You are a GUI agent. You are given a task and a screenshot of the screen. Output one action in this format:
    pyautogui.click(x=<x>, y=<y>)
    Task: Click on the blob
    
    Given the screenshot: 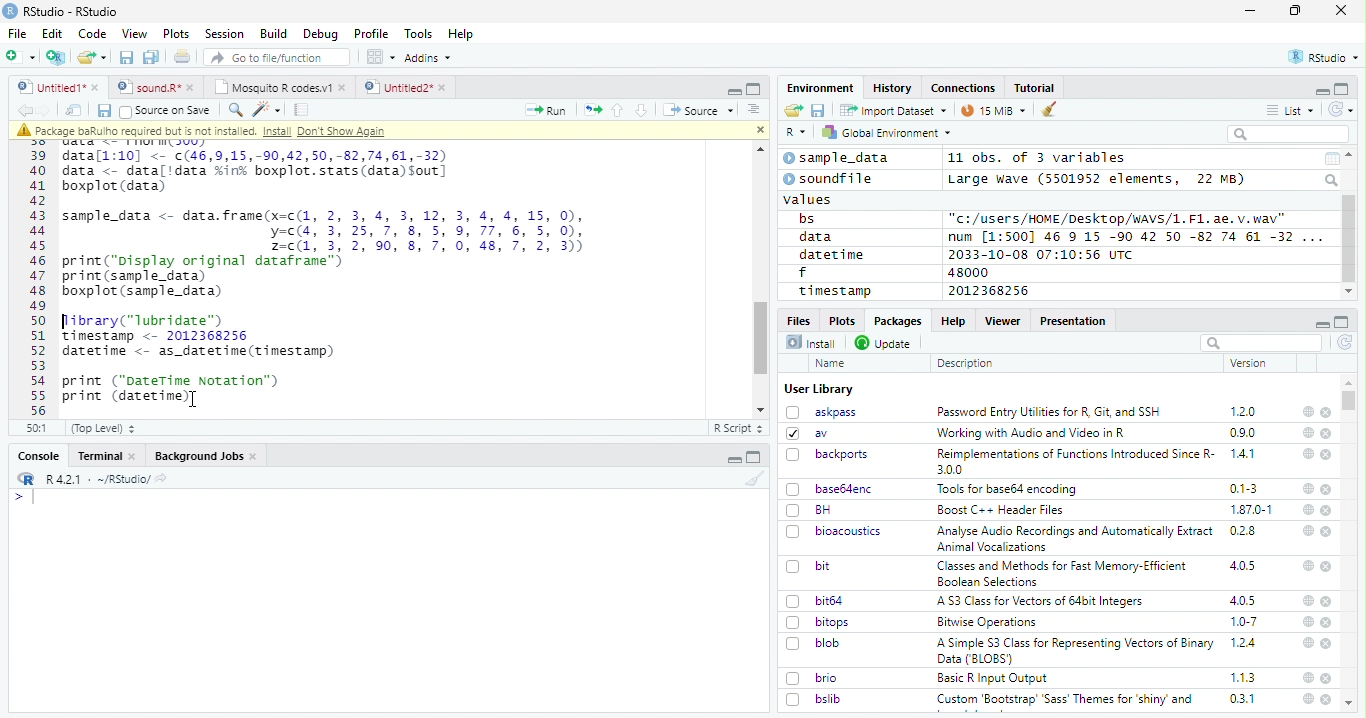 What is the action you would take?
    pyautogui.click(x=813, y=643)
    